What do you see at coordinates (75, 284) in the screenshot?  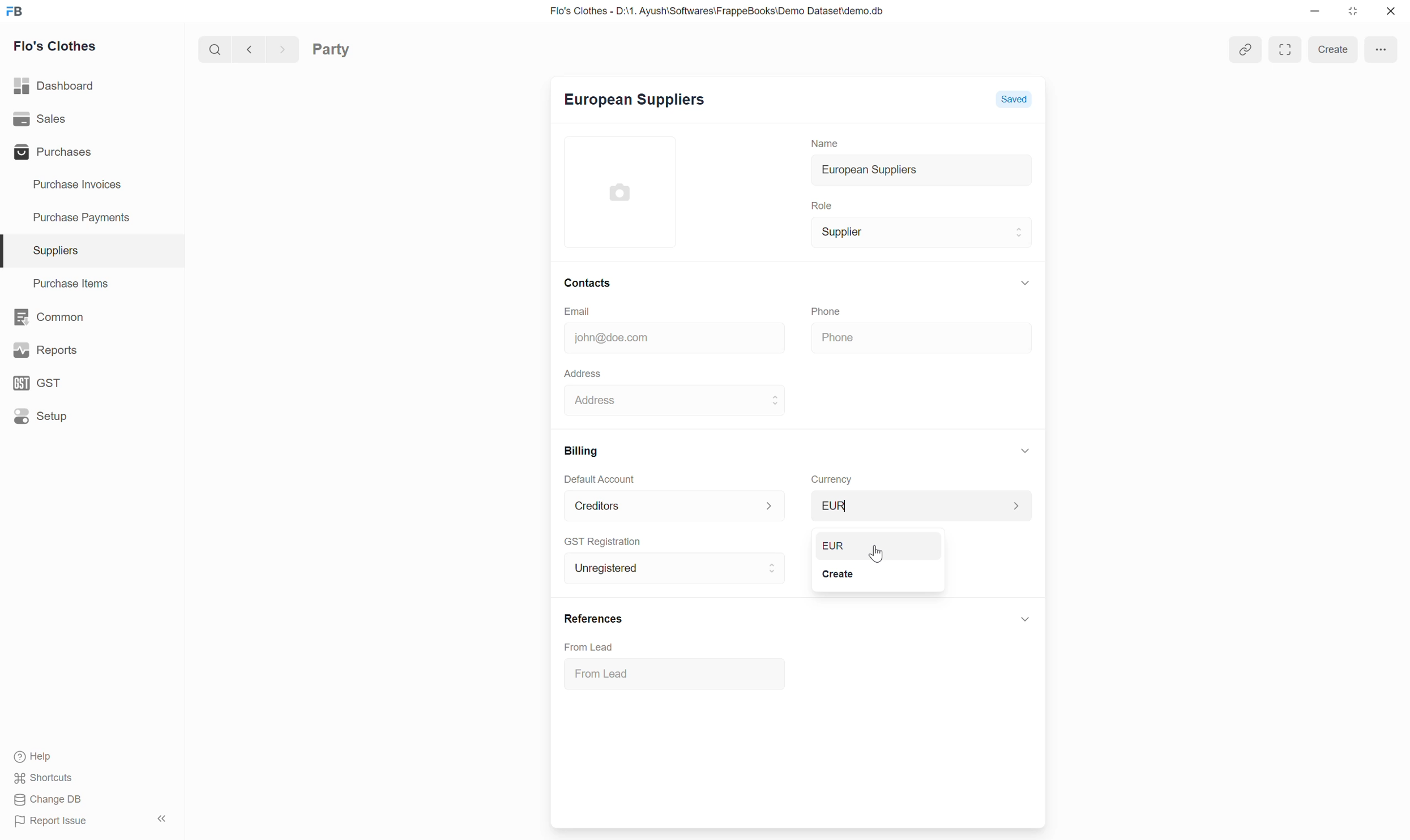 I see `purchase items` at bounding box center [75, 284].